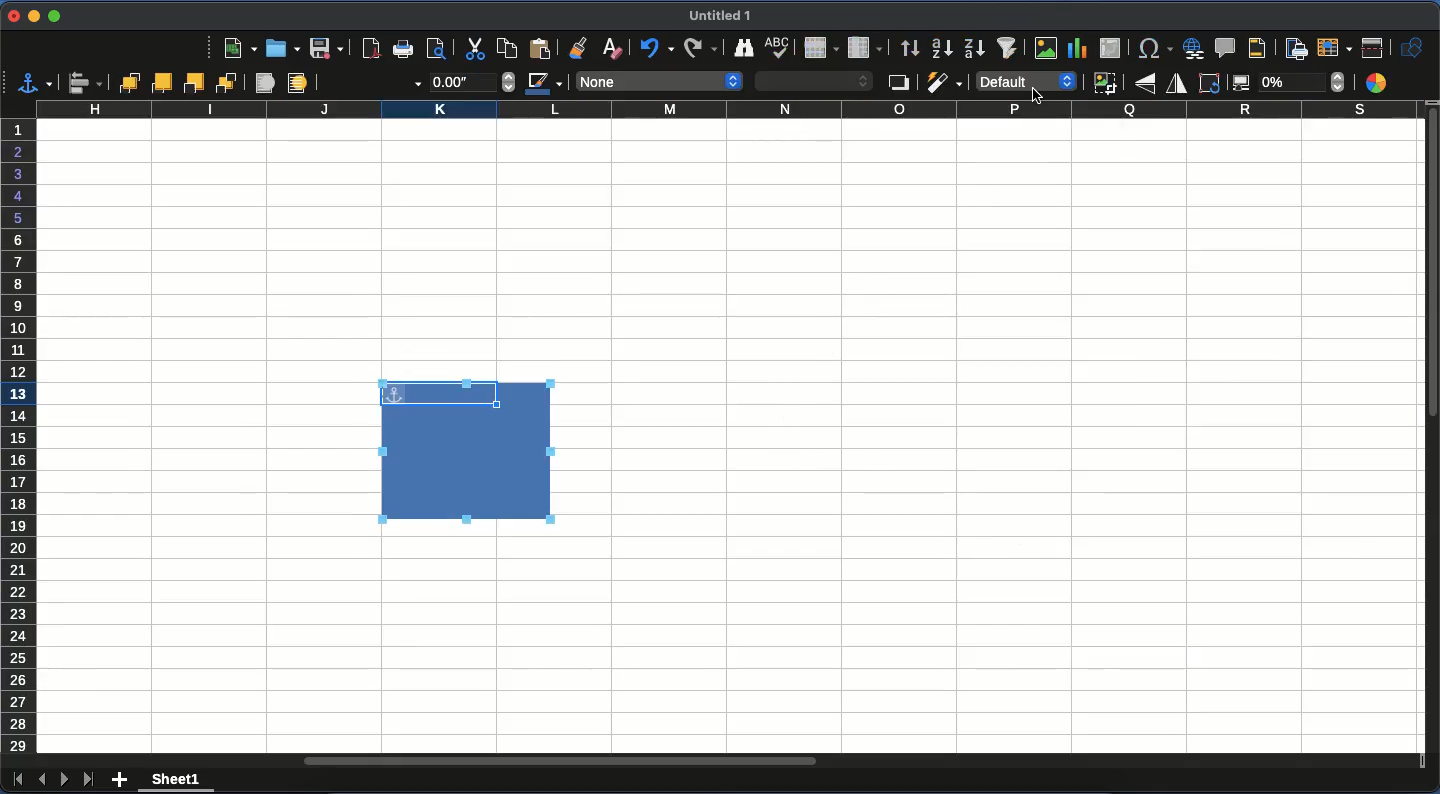  Describe the element at coordinates (1193, 48) in the screenshot. I see `hyperlink` at that location.